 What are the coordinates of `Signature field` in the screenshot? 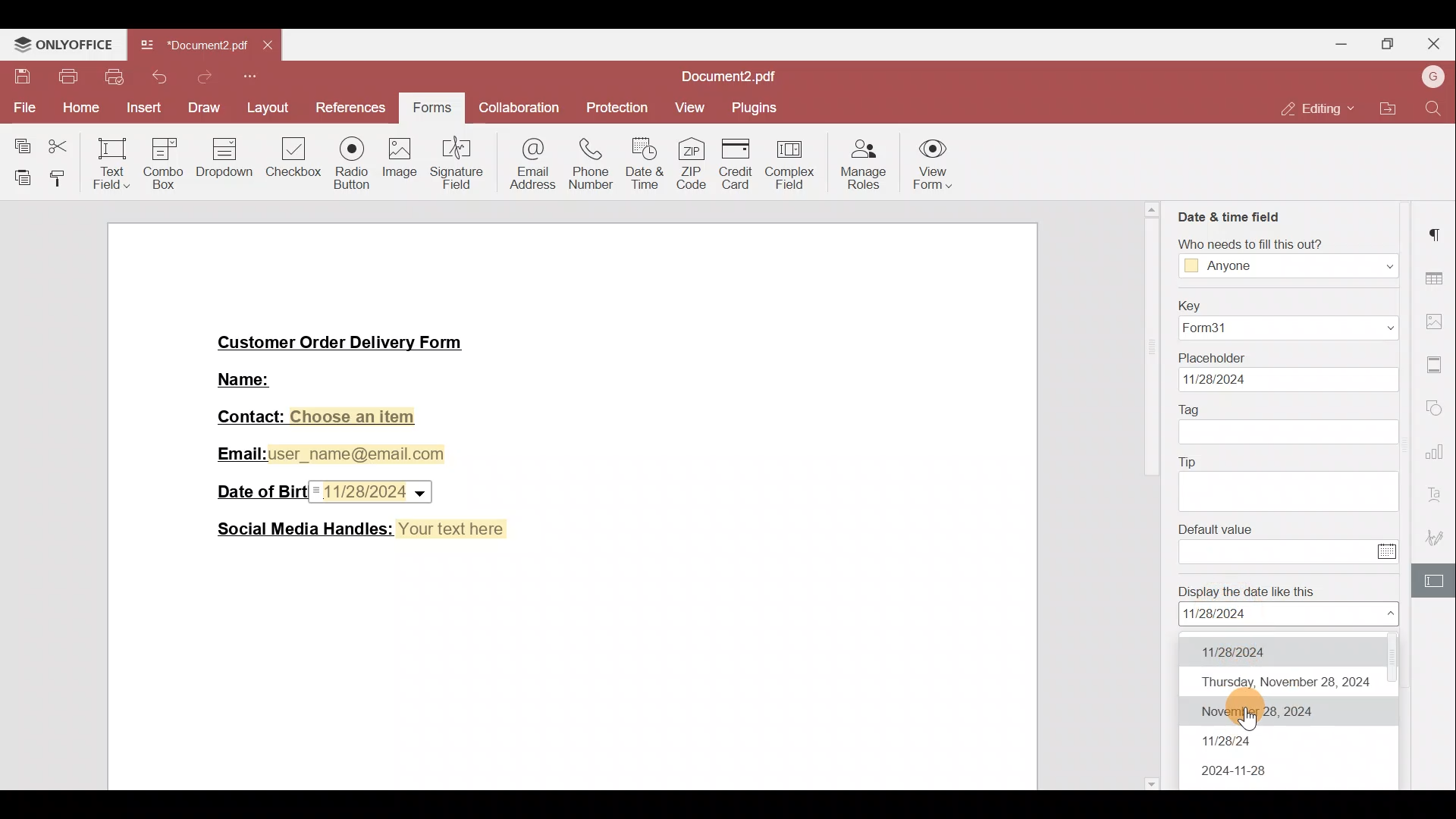 It's located at (459, 161).